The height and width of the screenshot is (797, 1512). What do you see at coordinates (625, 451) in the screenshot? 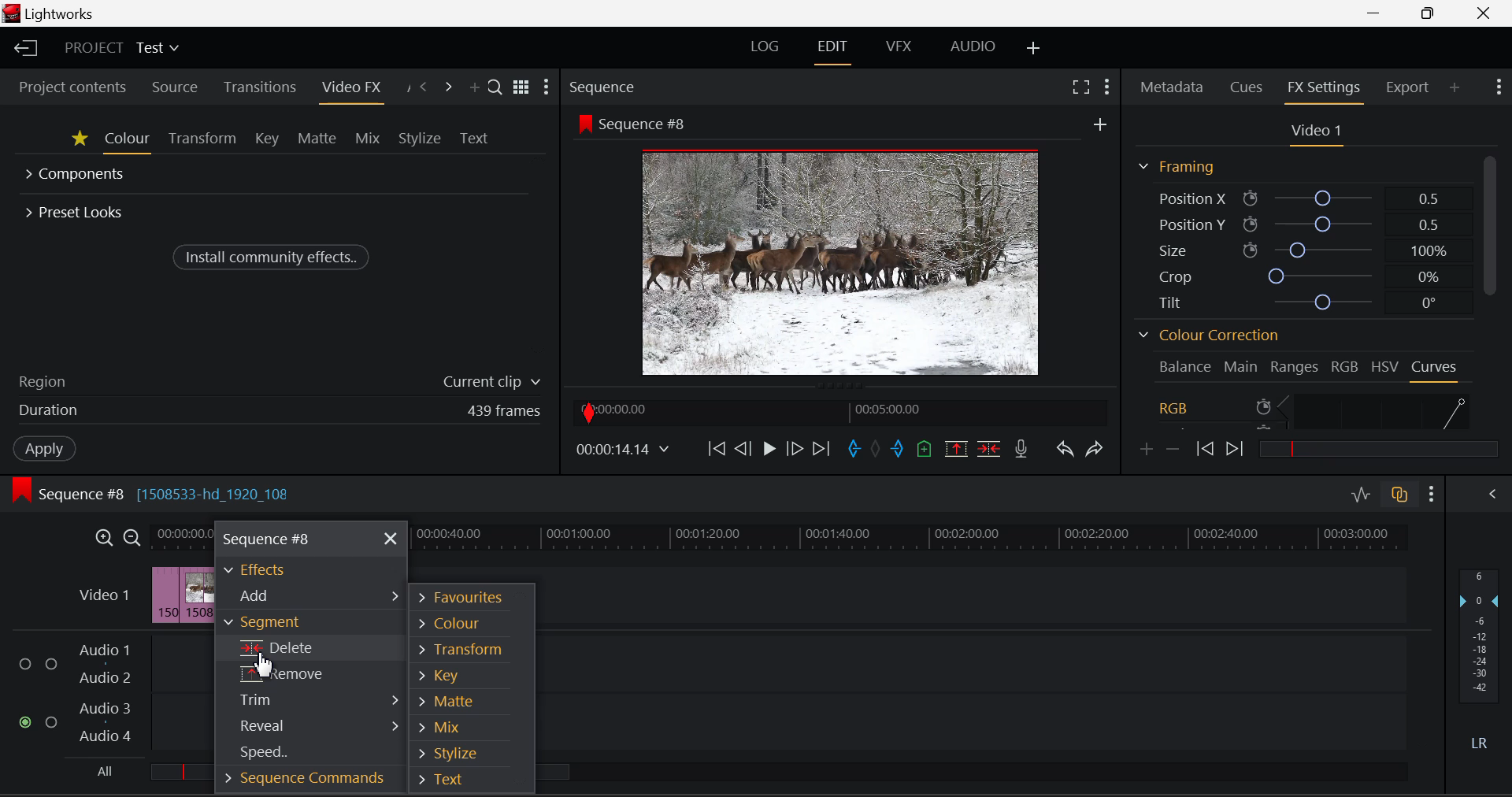
I see `Frame time` at bounding box center [625, 451].